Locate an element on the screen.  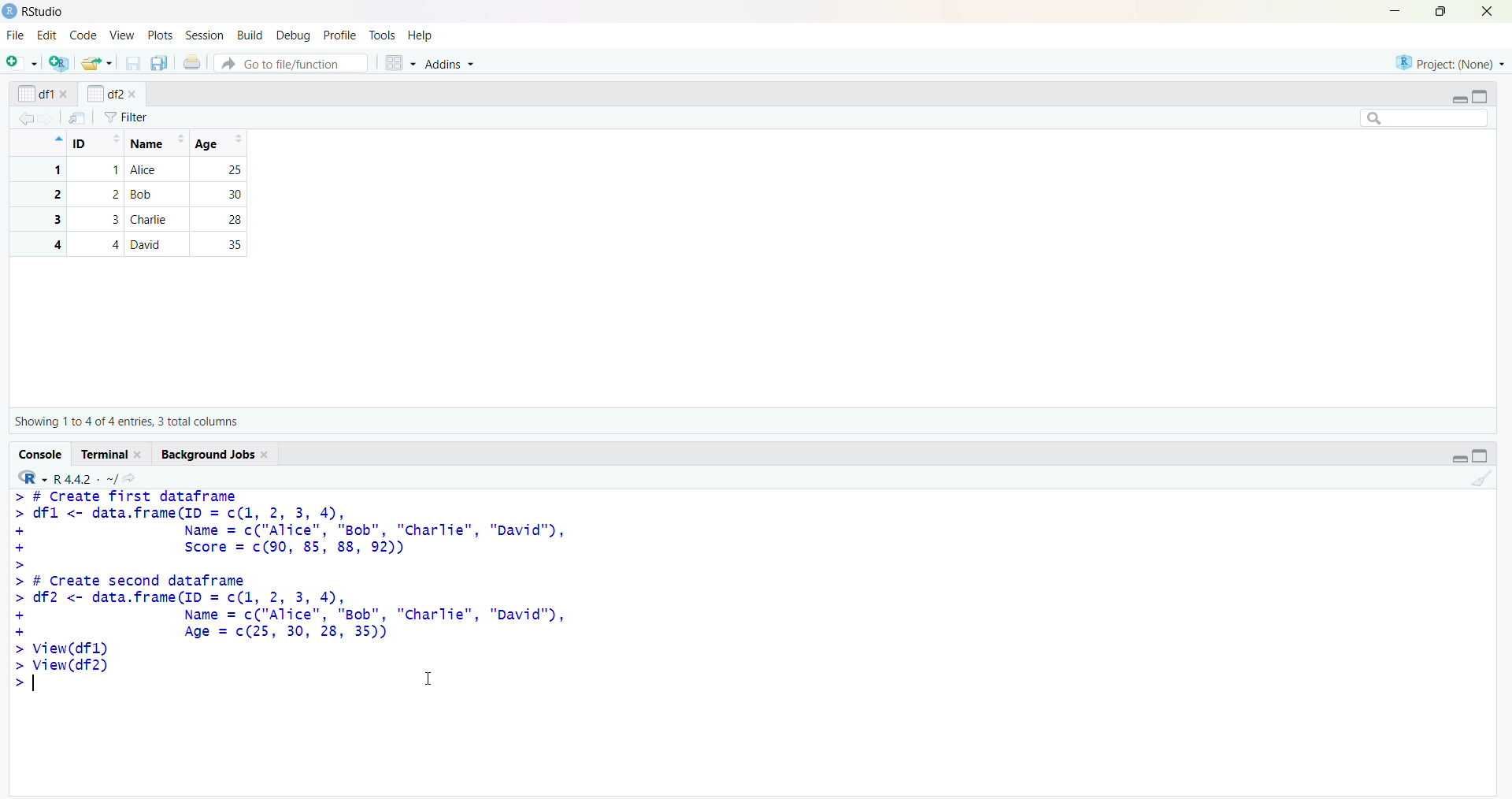
grid is located at coordinates (401, 63).